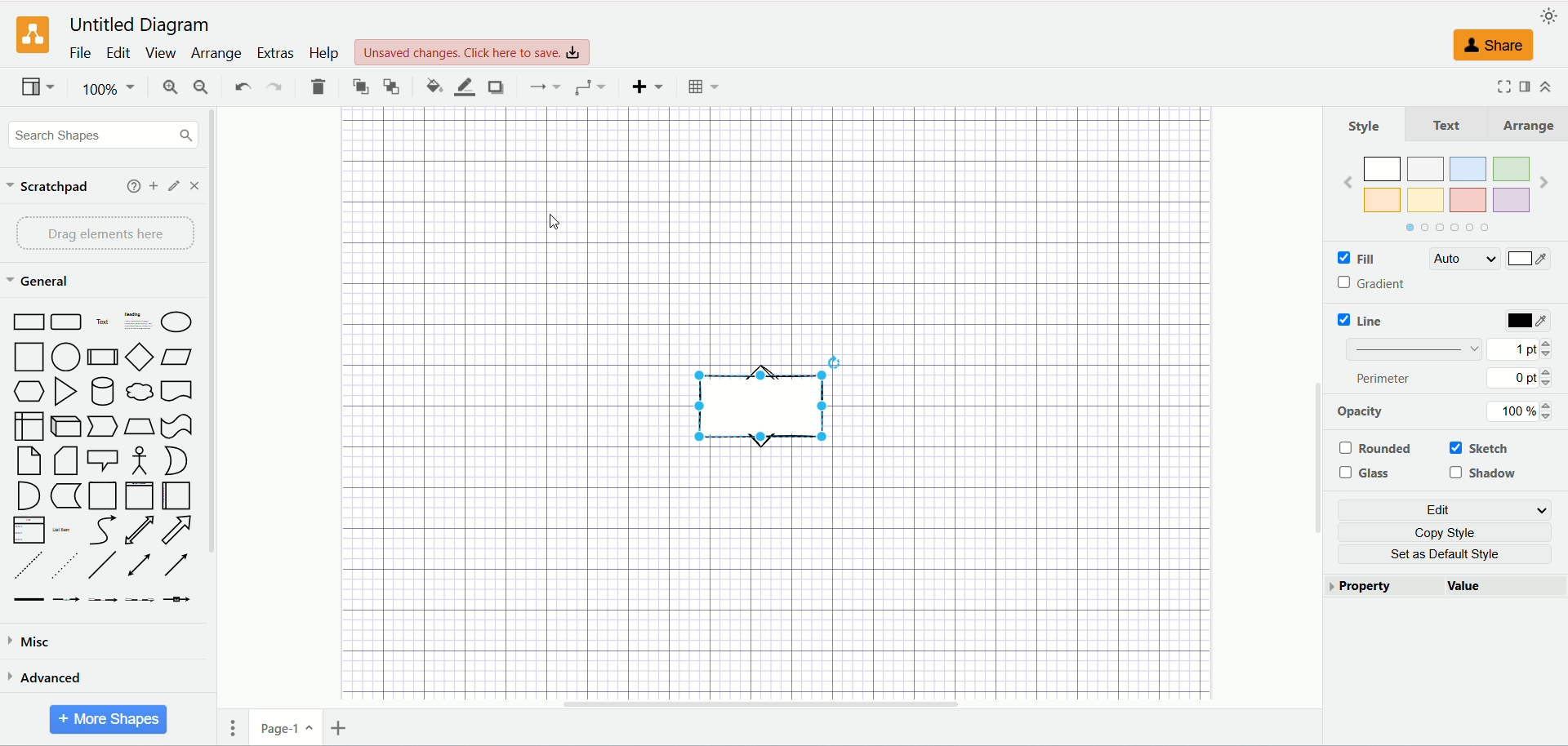 This screenshot has height=746, width=1568. Describe the element at coordinates (51, 681) in the screenshot. I see `advanced` at that location.